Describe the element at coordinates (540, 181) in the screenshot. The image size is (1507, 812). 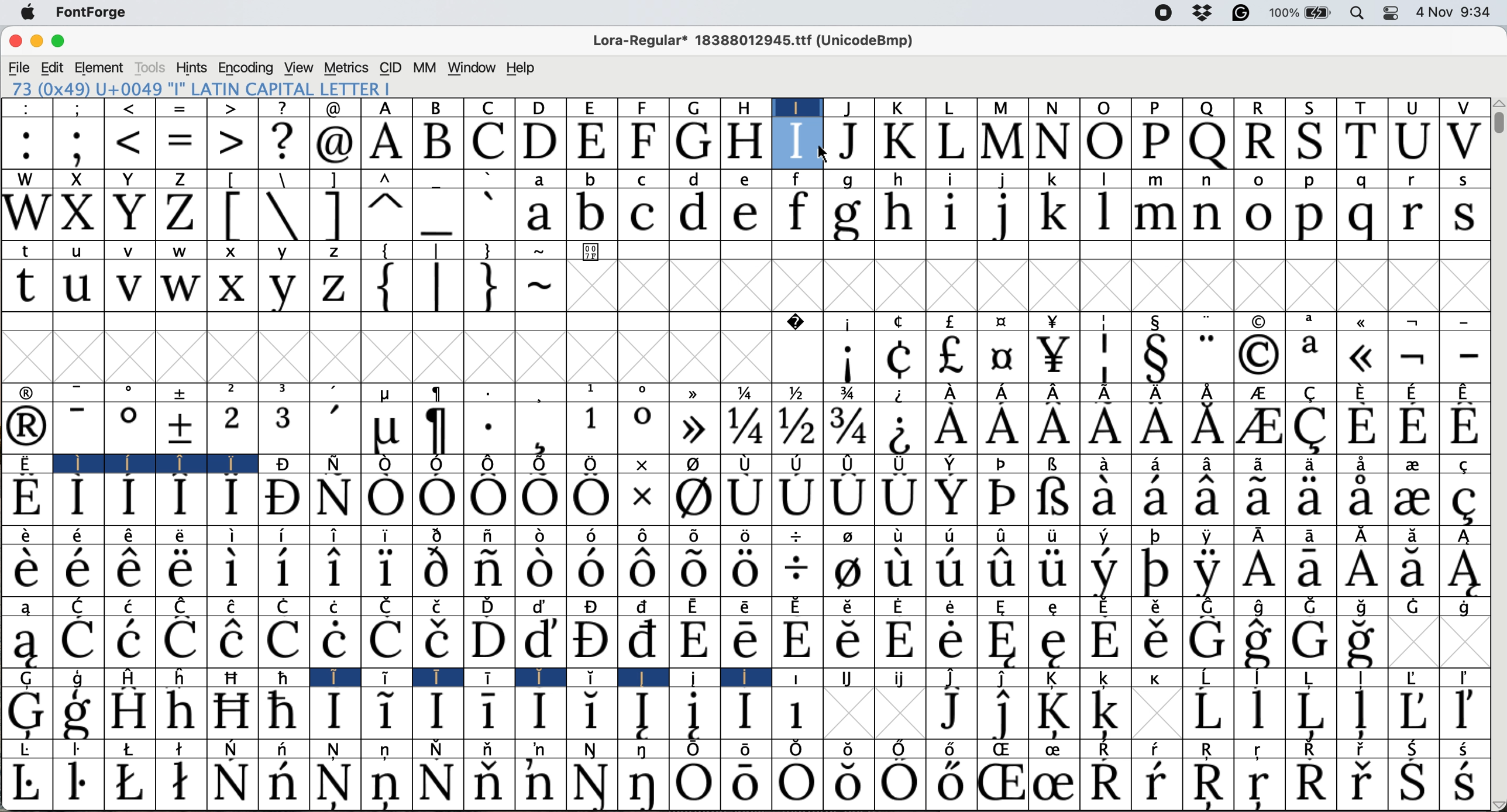
I see `a` at that location.